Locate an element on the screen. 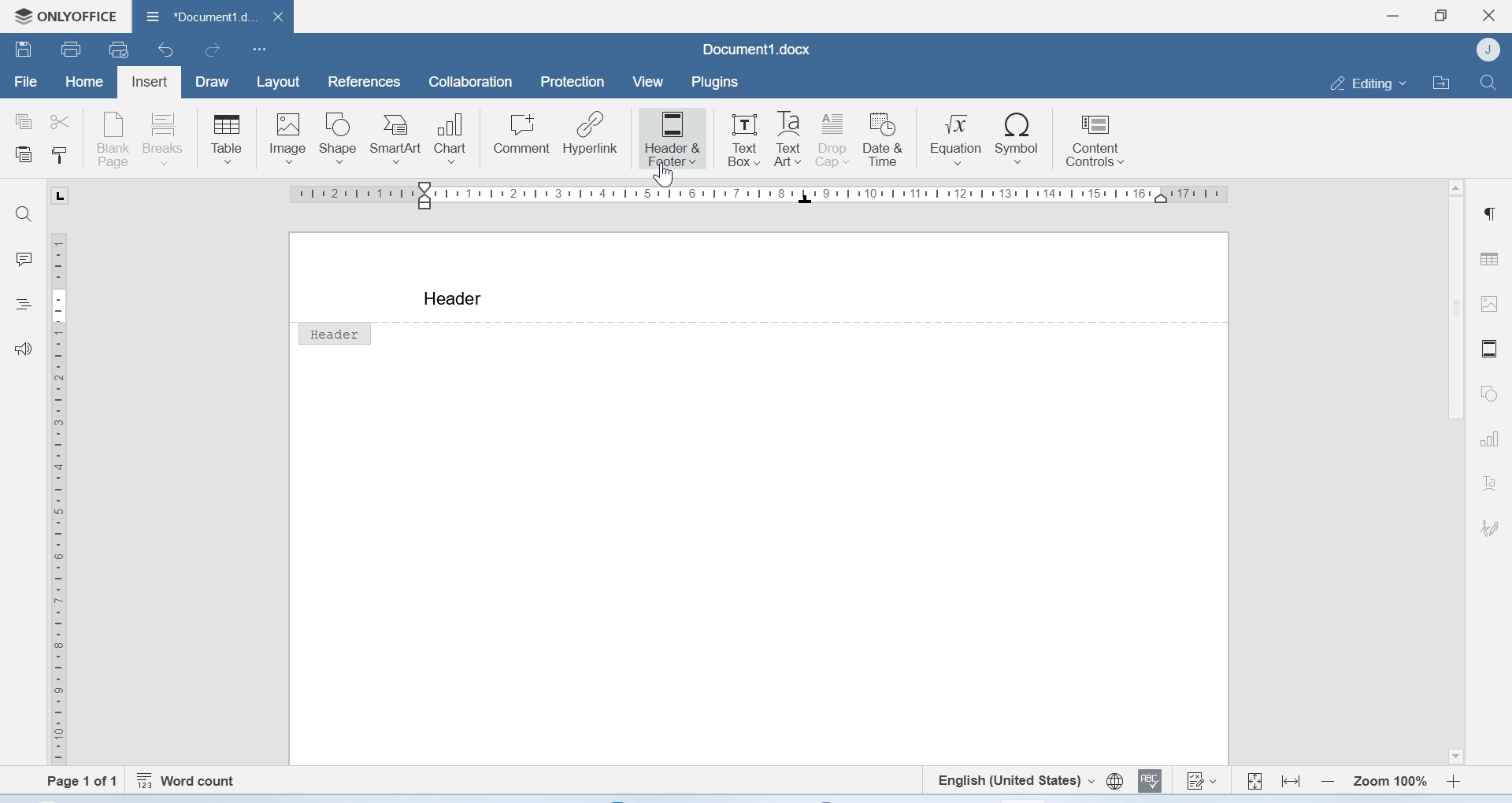  redo is located at coordinates (213, 52).